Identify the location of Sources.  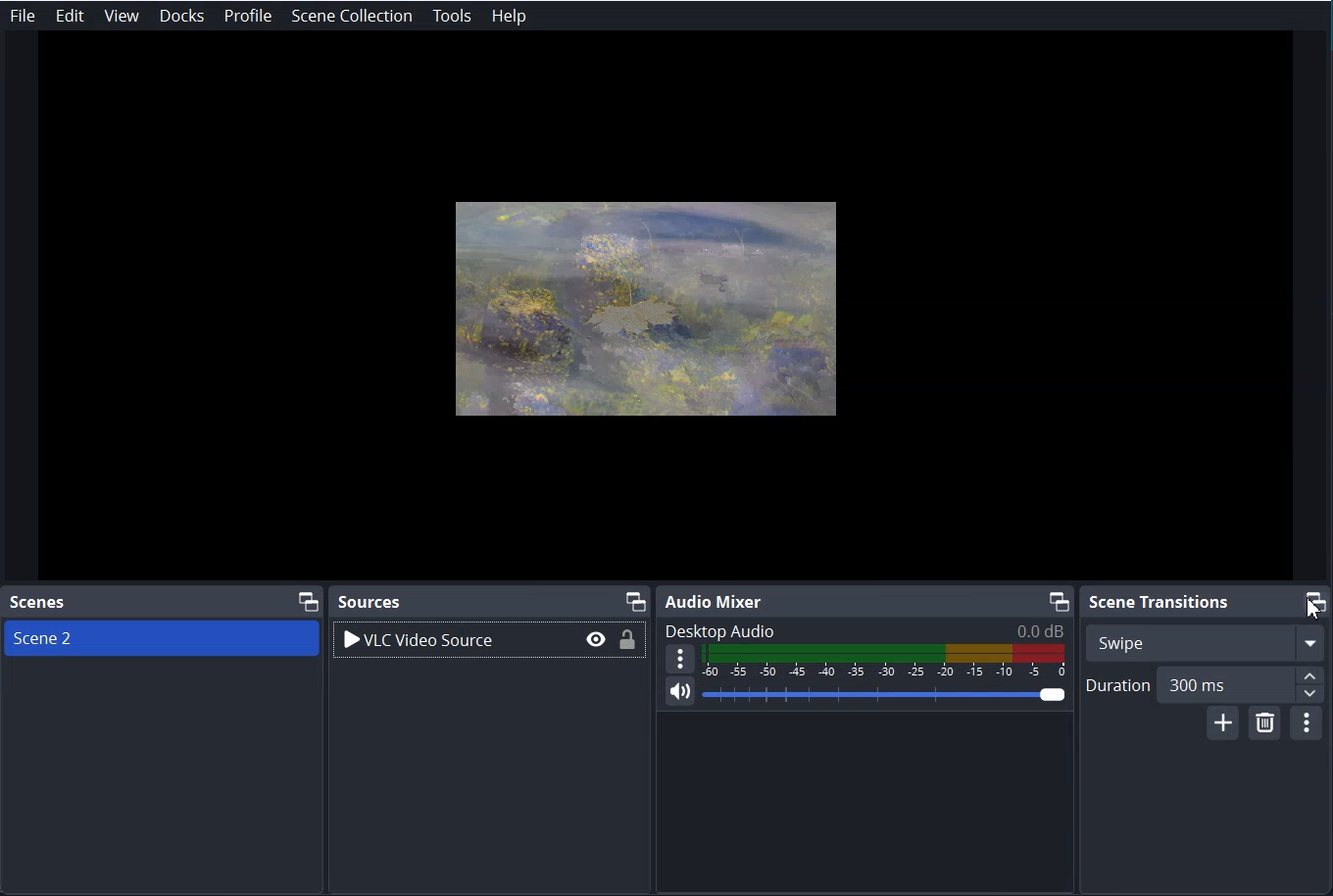
(375, 601).